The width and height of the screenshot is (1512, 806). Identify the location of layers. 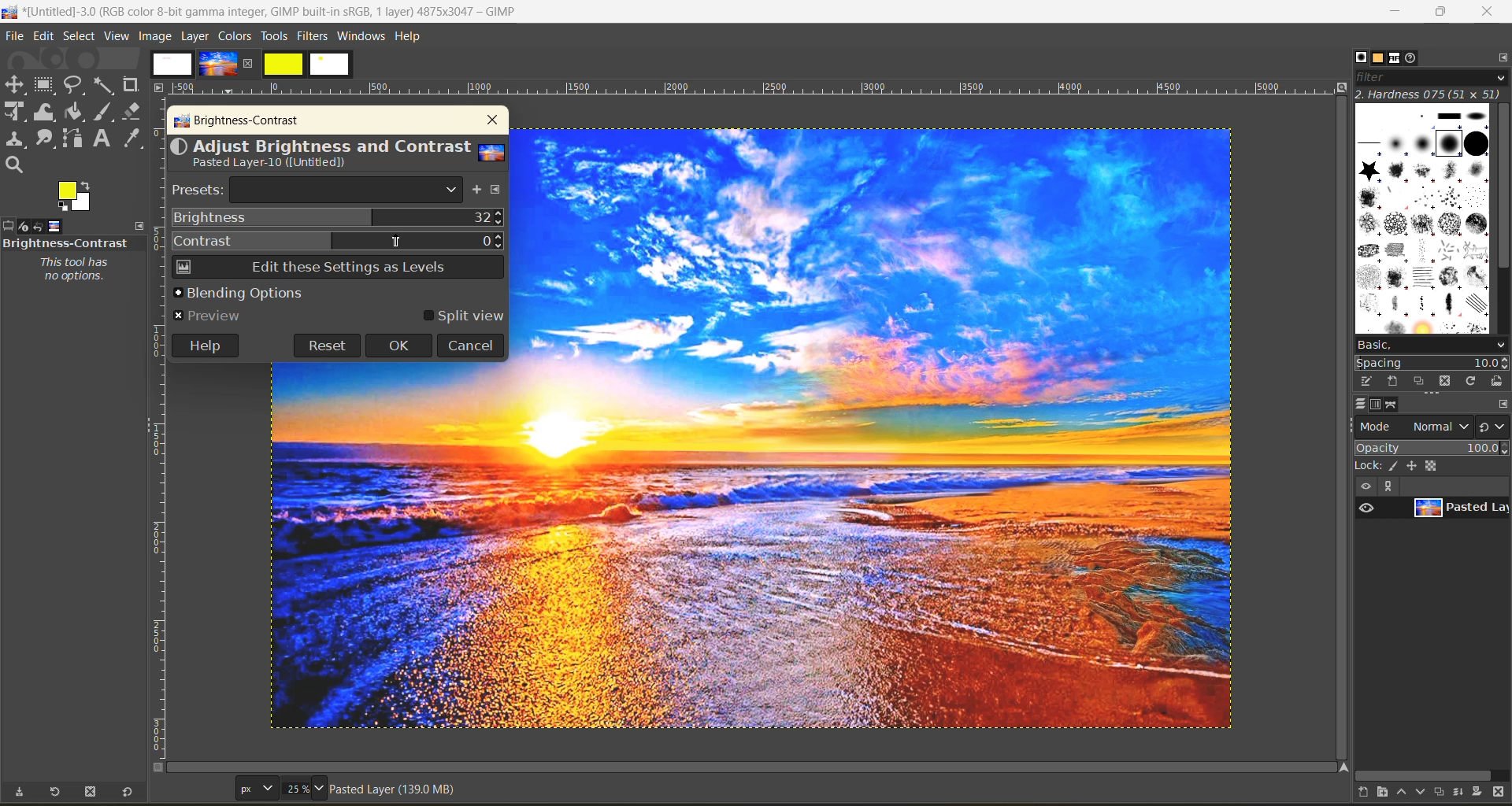
(1360, 404).